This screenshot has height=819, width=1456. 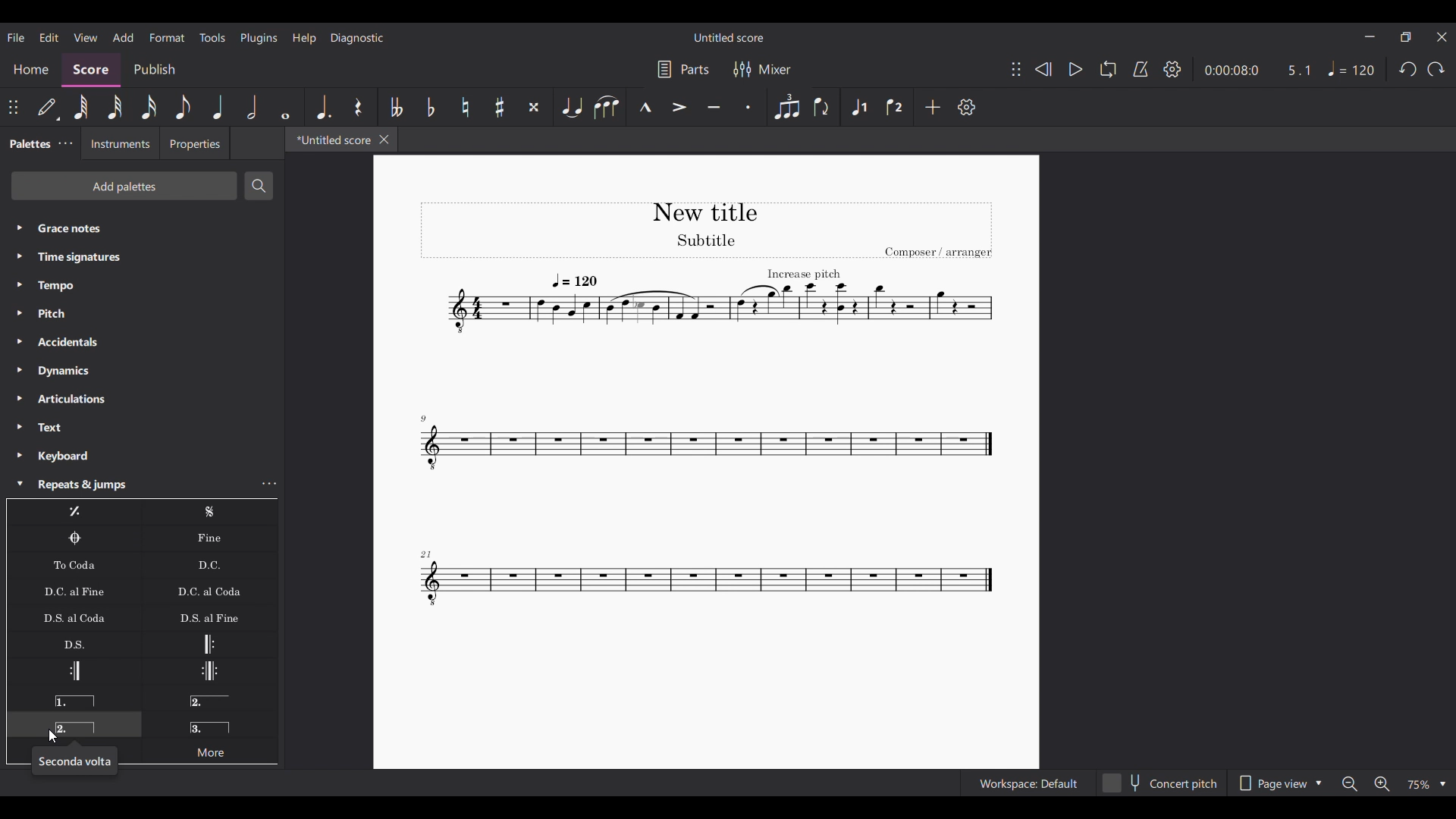 What do you see at coordinates (74, 512) in the screenshot?
I see `Repeat last measure` at bounding box center [74, 512].